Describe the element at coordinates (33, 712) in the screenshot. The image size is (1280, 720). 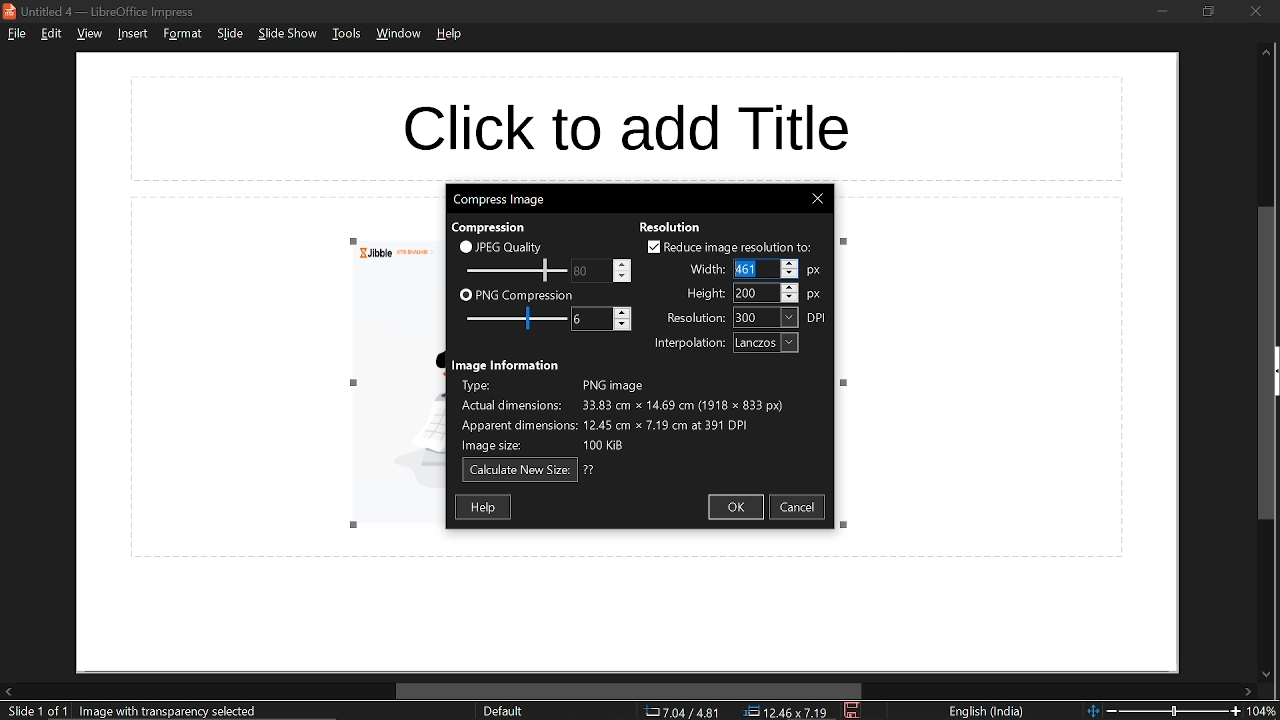
I see `current slide` at that location.